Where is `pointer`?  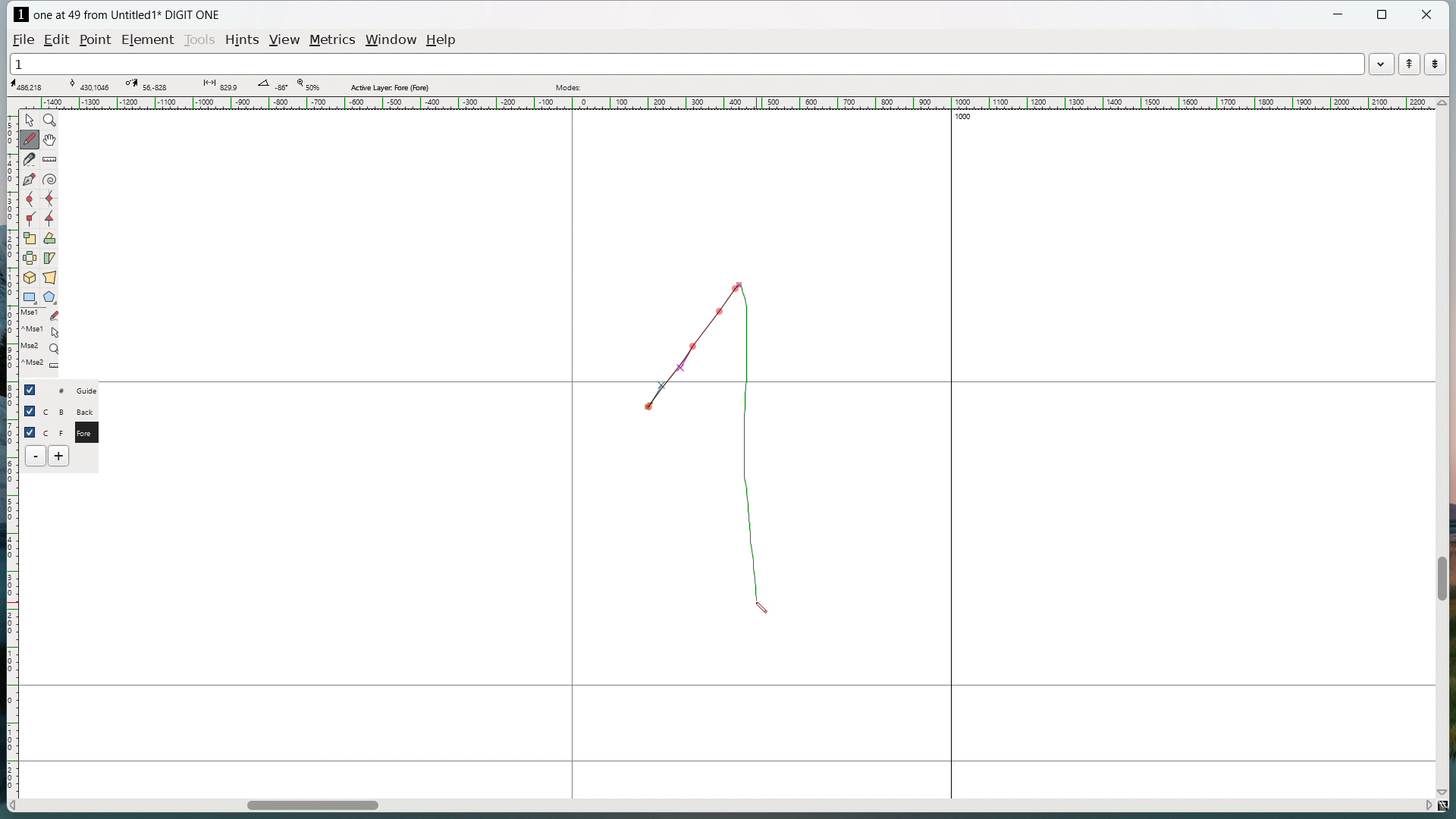
pointer is located at coordinates (30, 120).